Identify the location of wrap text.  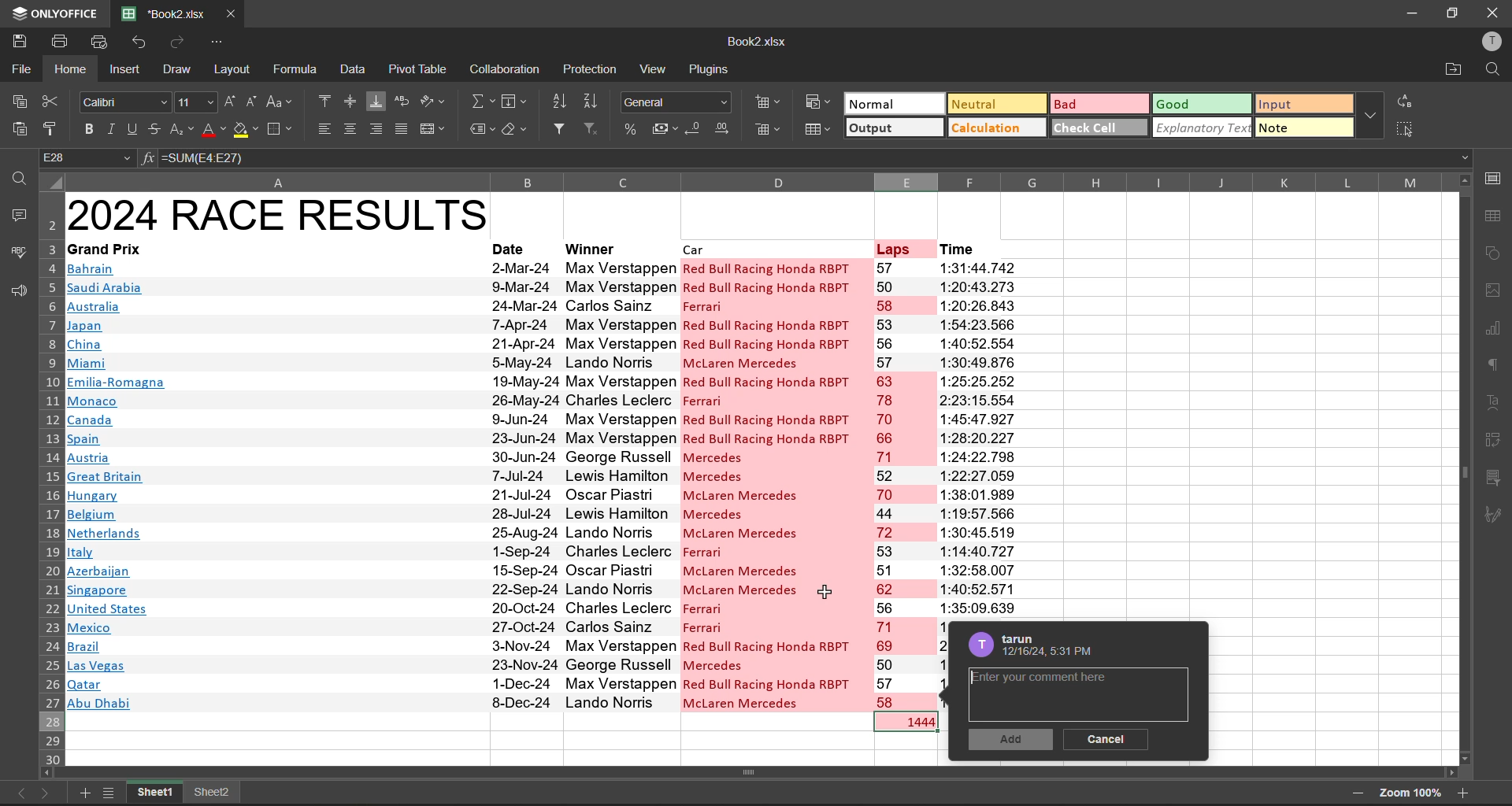
(406, 100).